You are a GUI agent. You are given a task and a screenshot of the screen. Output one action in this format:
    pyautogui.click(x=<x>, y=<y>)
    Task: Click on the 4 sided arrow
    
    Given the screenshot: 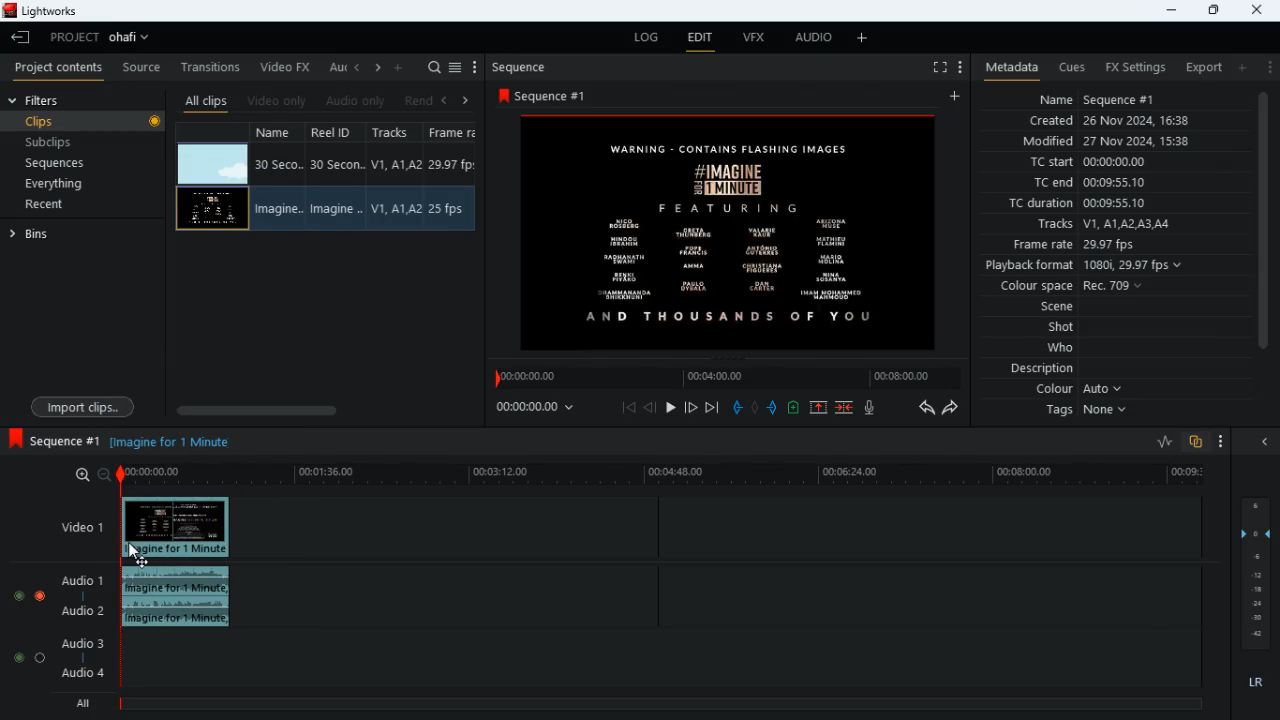 What is the action you would take?
    pyautogui.click(x=142, y=562)
    